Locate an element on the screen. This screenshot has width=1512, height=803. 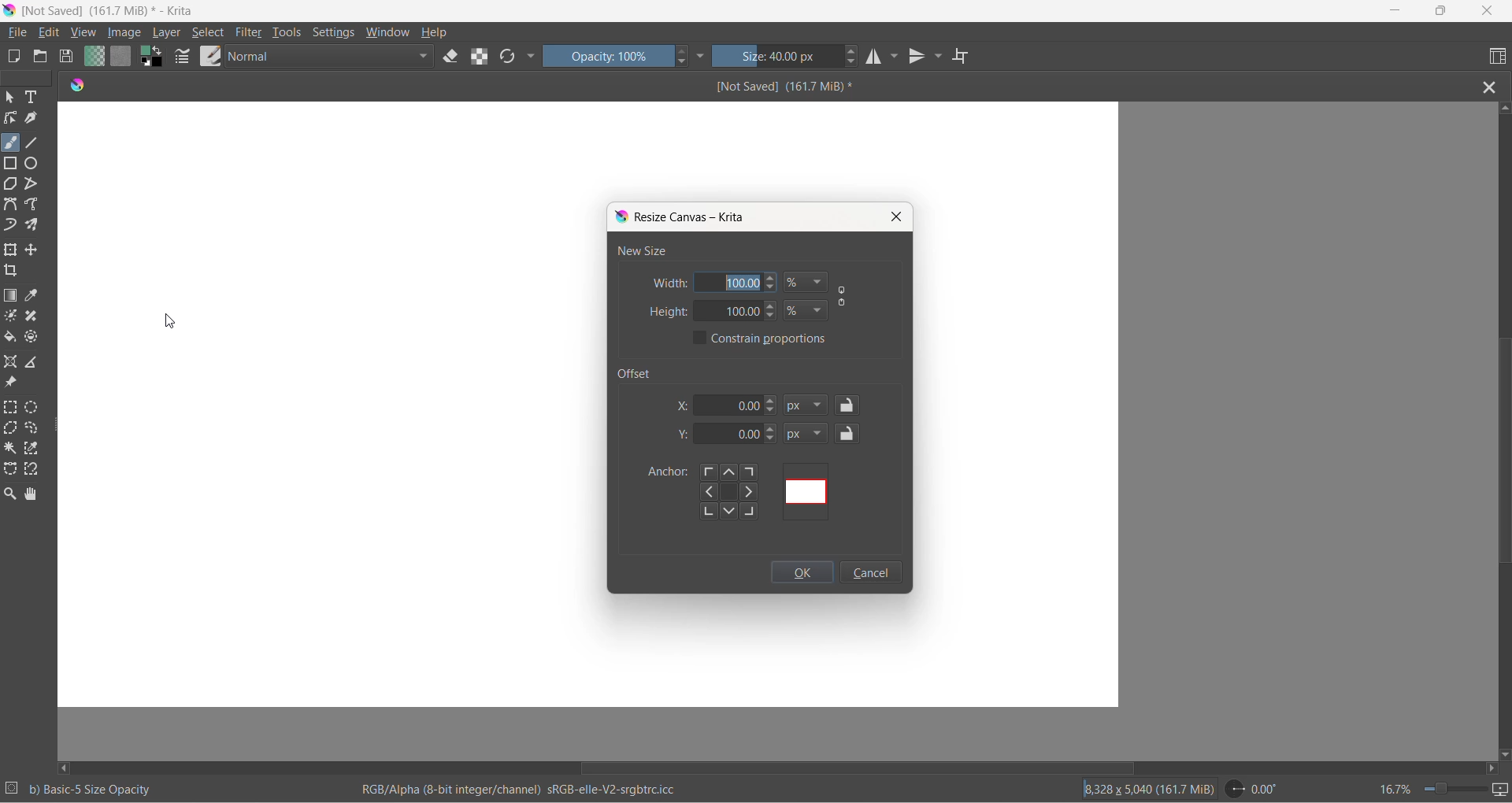
height value type is located at coordinates (807, 311).